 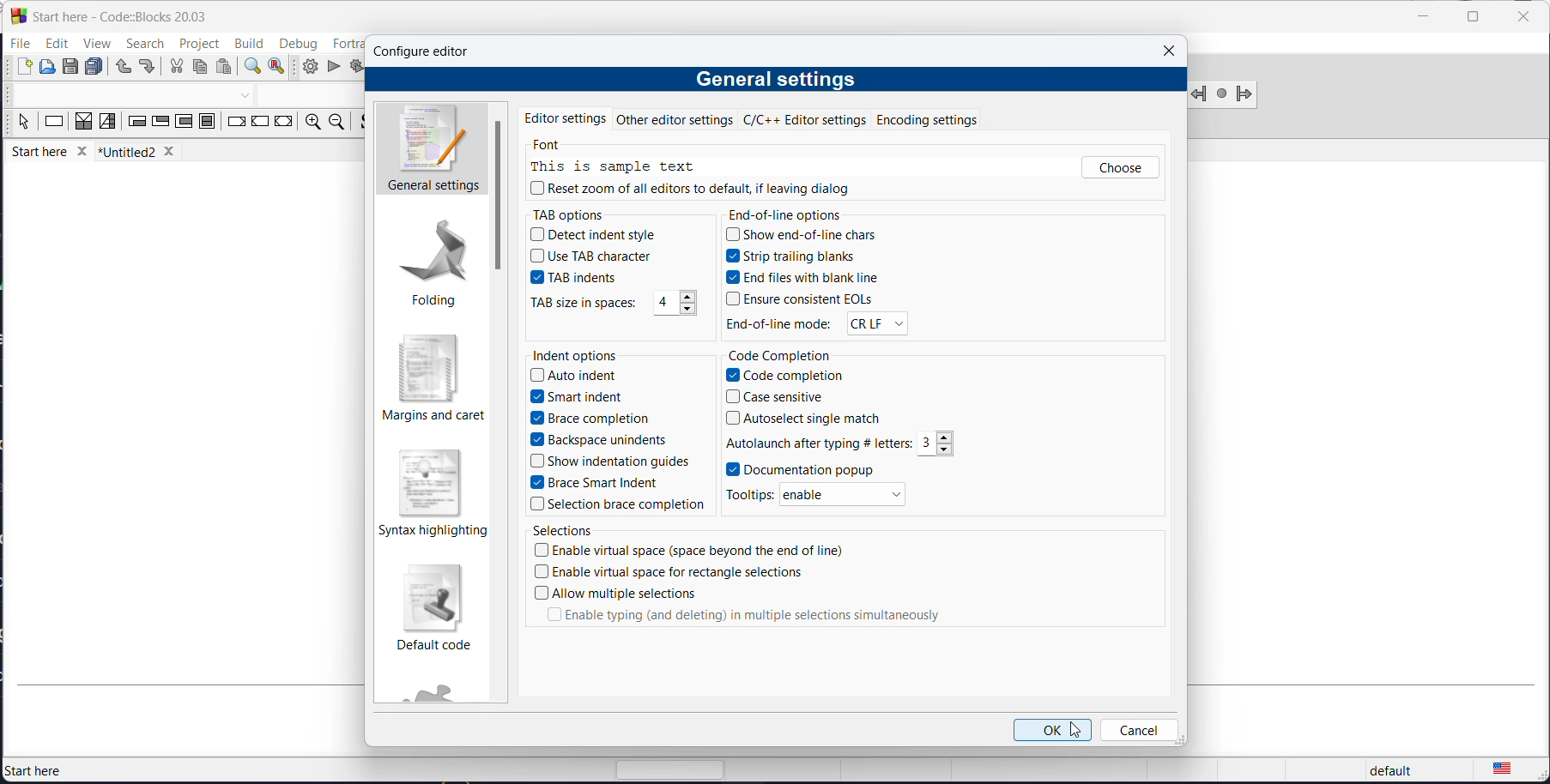 I want to click on maximize, so click(x=1471, y=17).